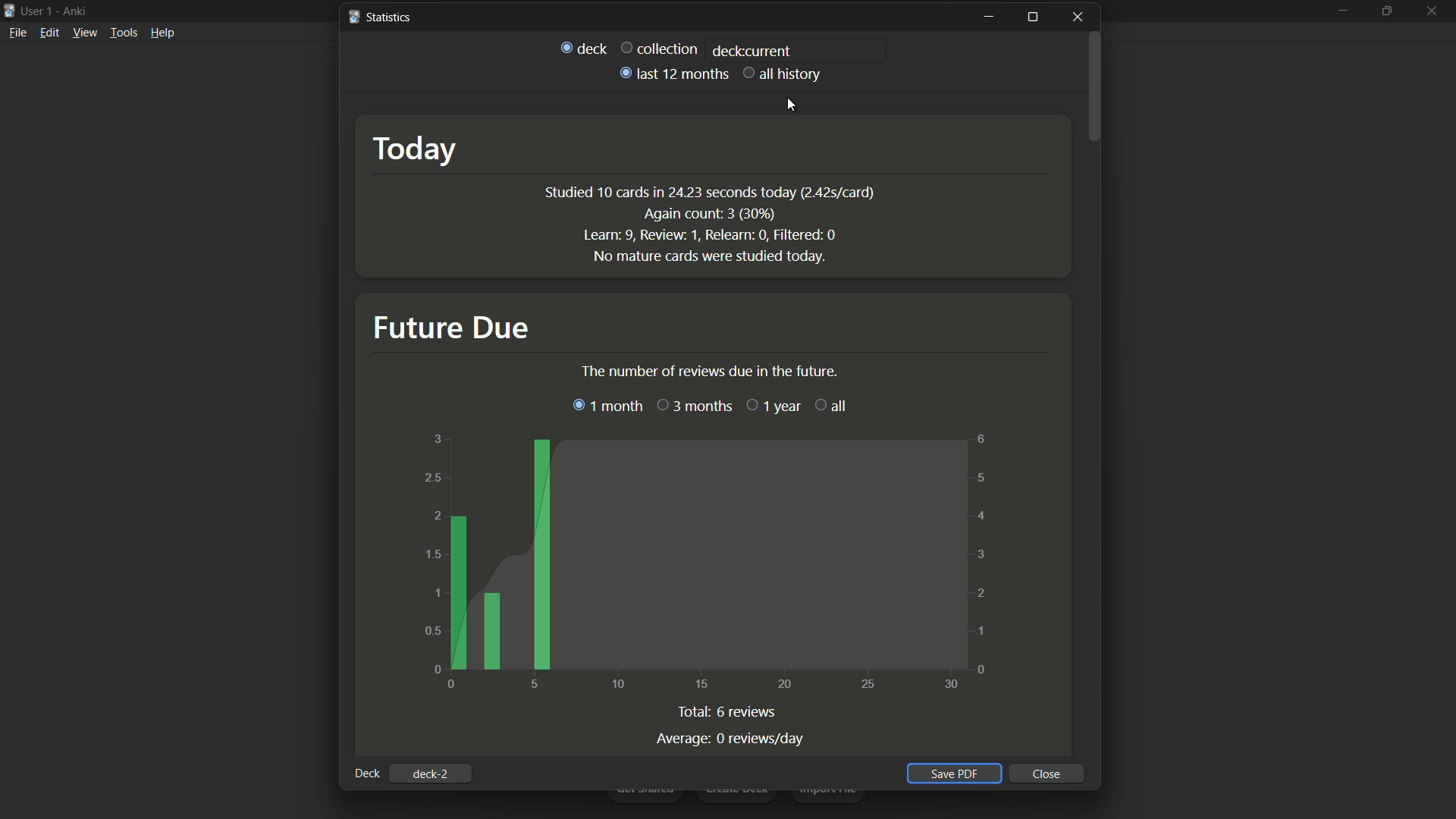  I want to click on Deck, so click(366, 773).